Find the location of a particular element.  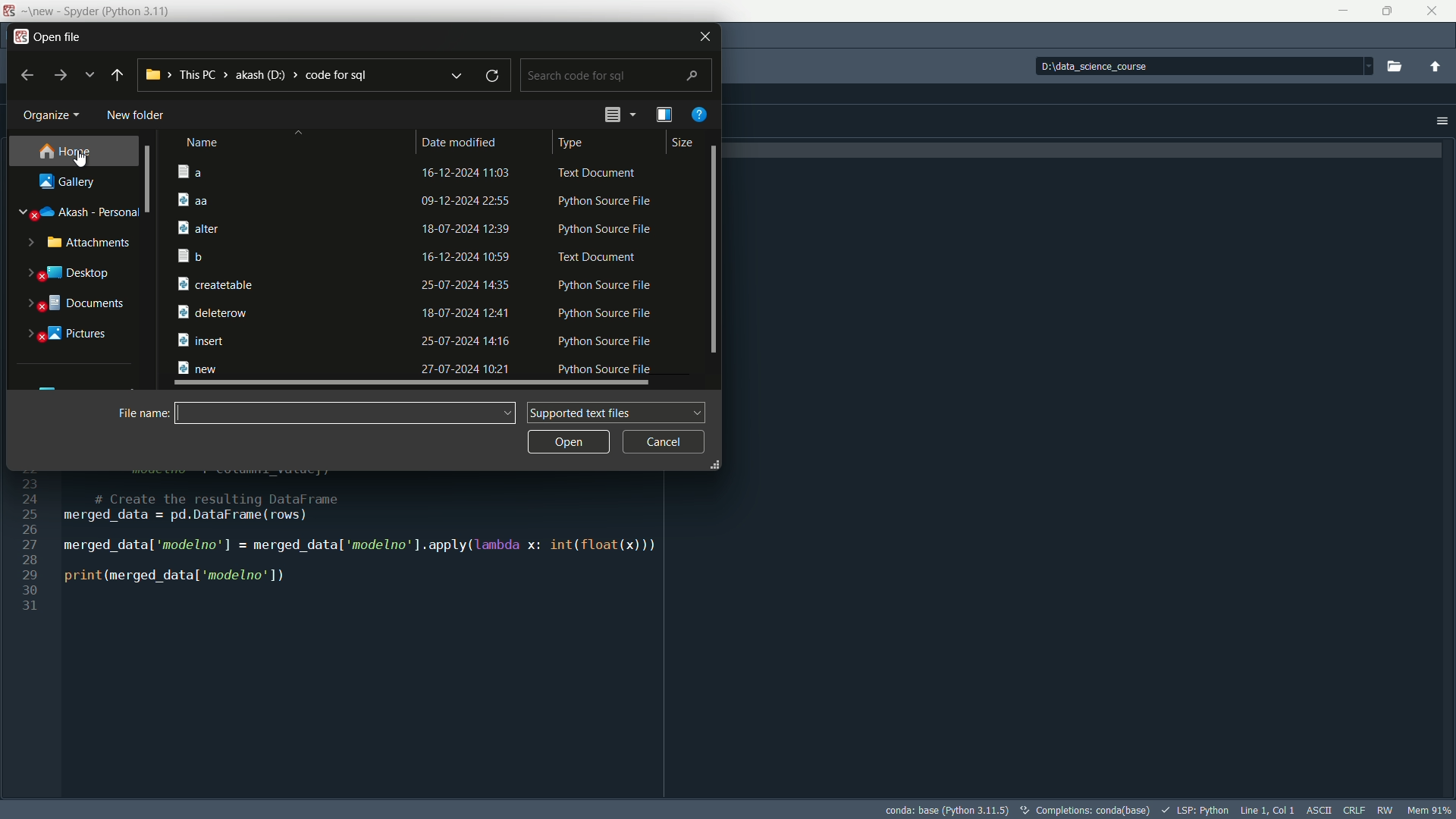

options is located at coordinates (1441, 121).